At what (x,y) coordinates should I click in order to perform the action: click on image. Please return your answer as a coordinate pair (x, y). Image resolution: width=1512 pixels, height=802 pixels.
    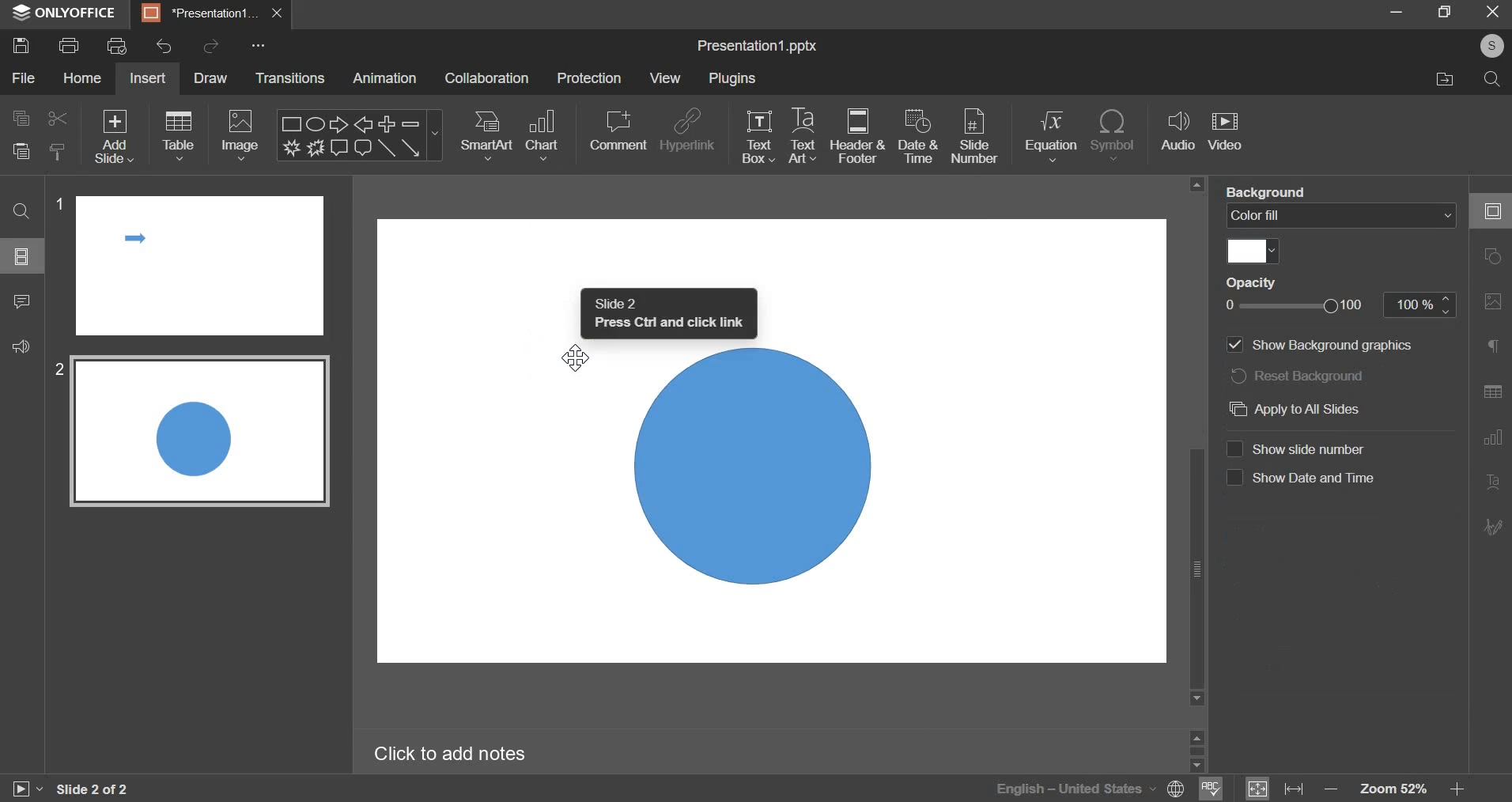
    Looking at the image, I should click on (242, 134).